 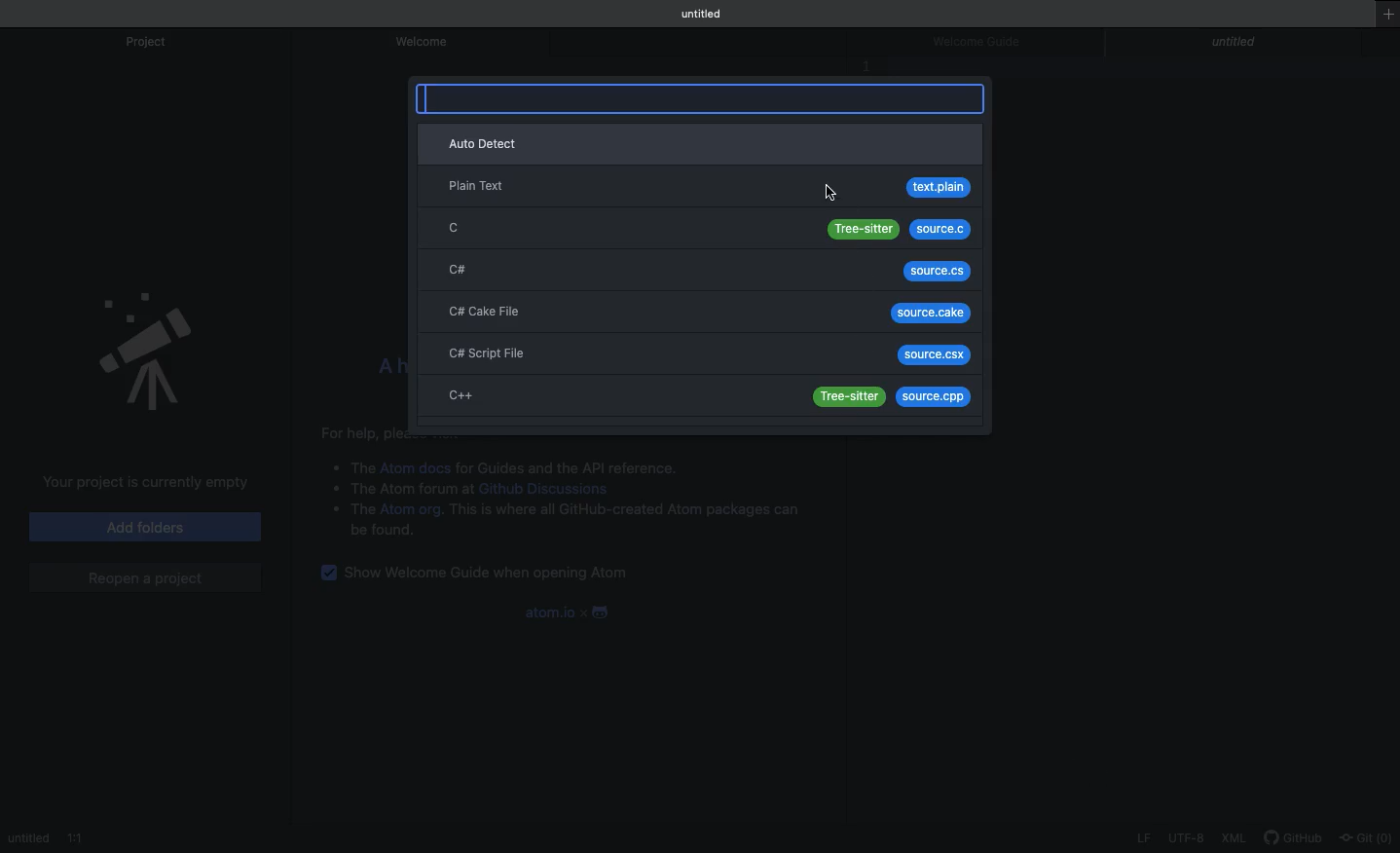 What do you see at coordinates (557, 490) in the screenshot?
I see `Github Discussion Link` at bounding box center [557, 490].